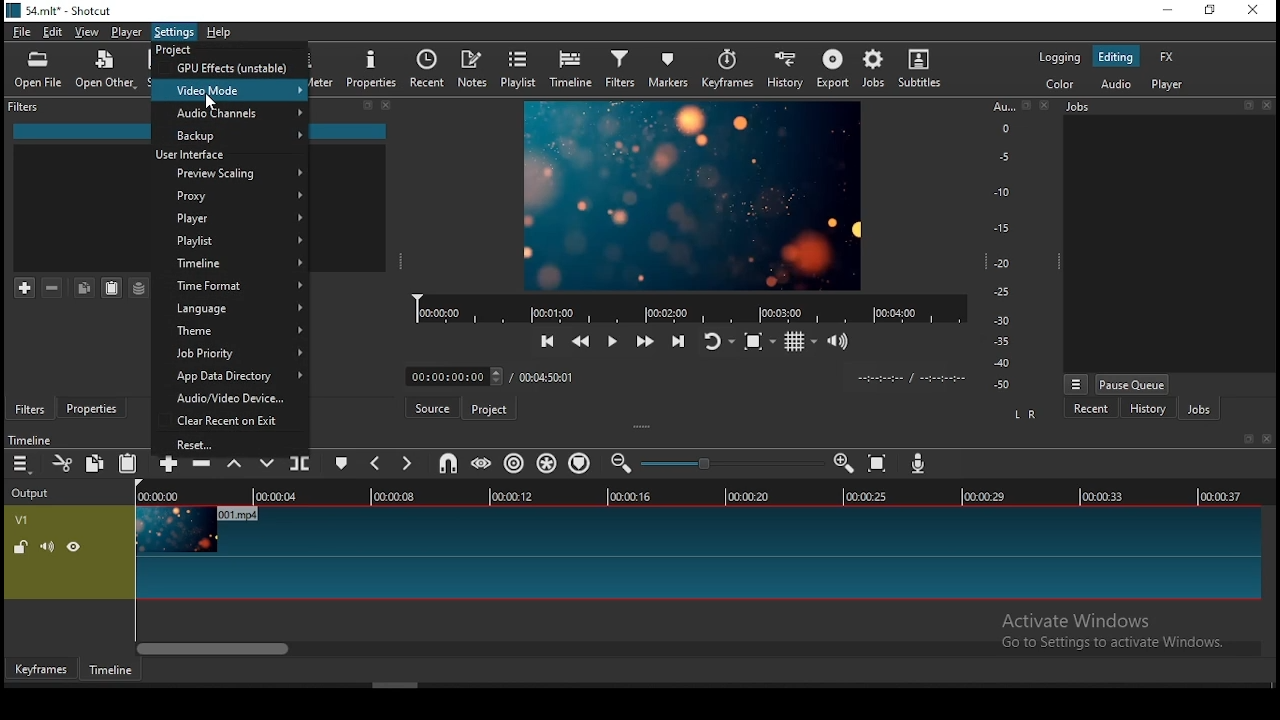 This screenshot has width=1280, height=720. What do you see at coordinates (172, 50) in the screenshot?
I see `project` at bounding box center [172, 50].